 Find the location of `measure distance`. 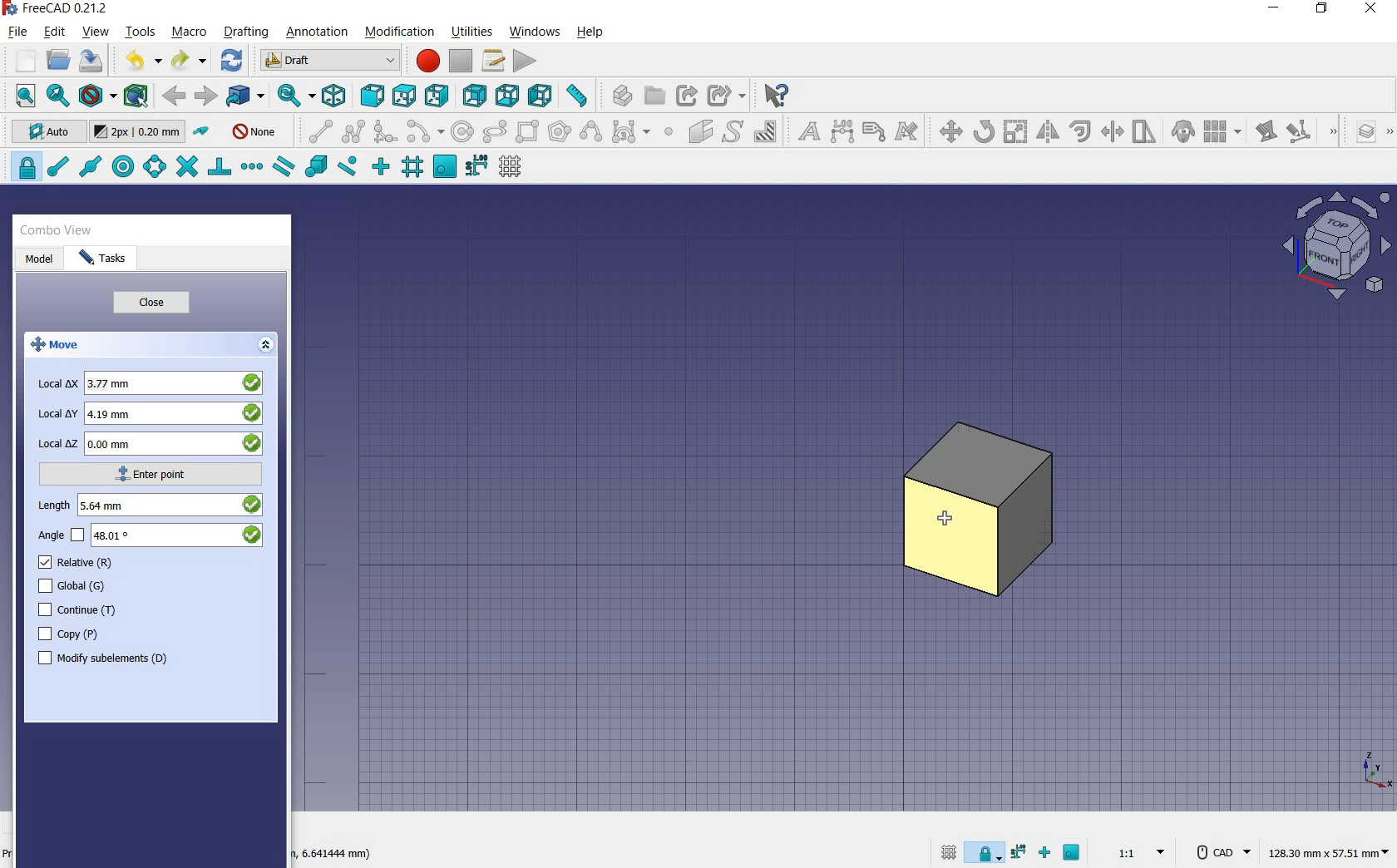

measure distance is located at coordinates (578, 96).